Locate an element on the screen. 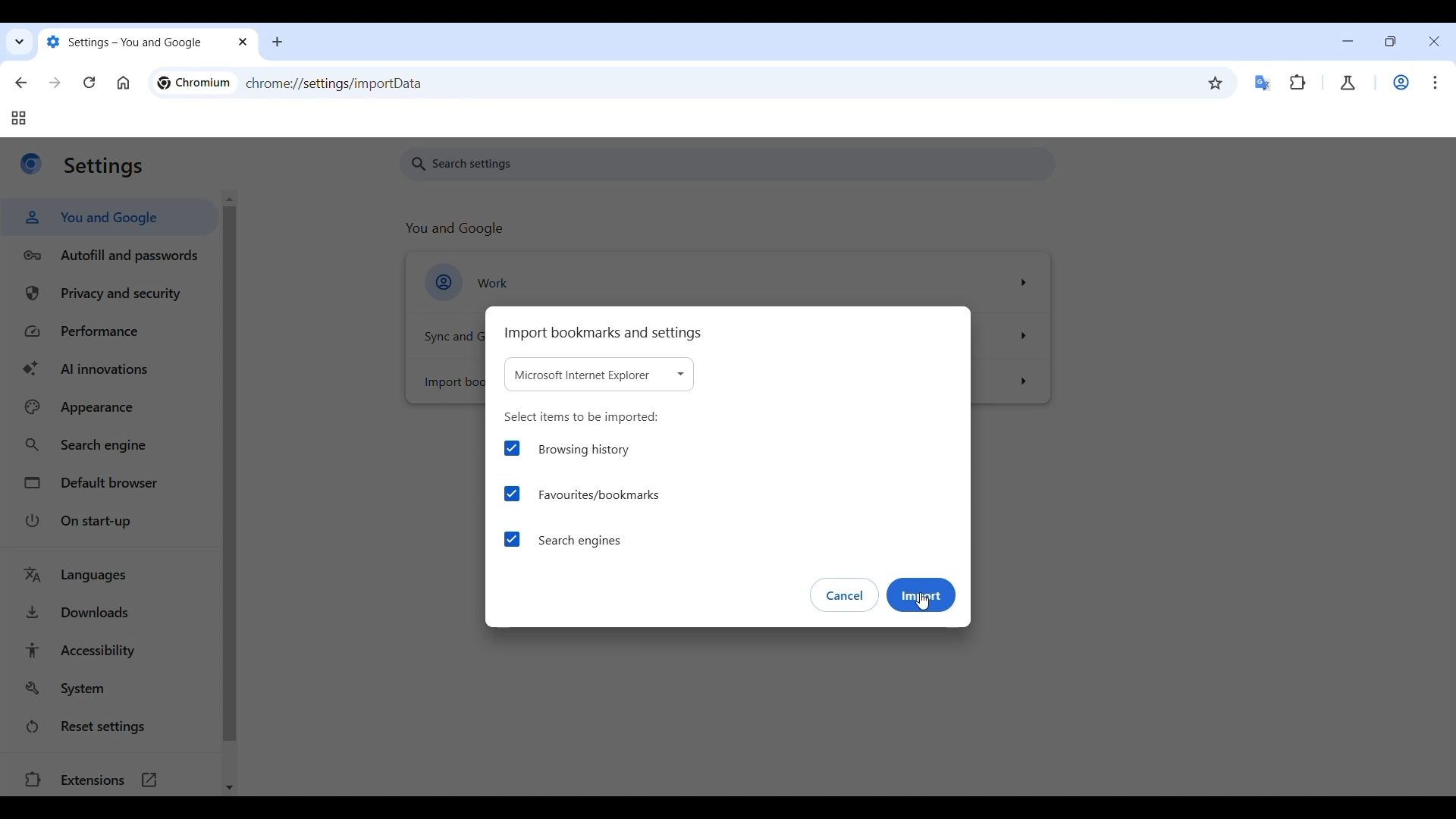 This screenshot has height=819, width=1456. Reload page is located at coordinates (89, 82).